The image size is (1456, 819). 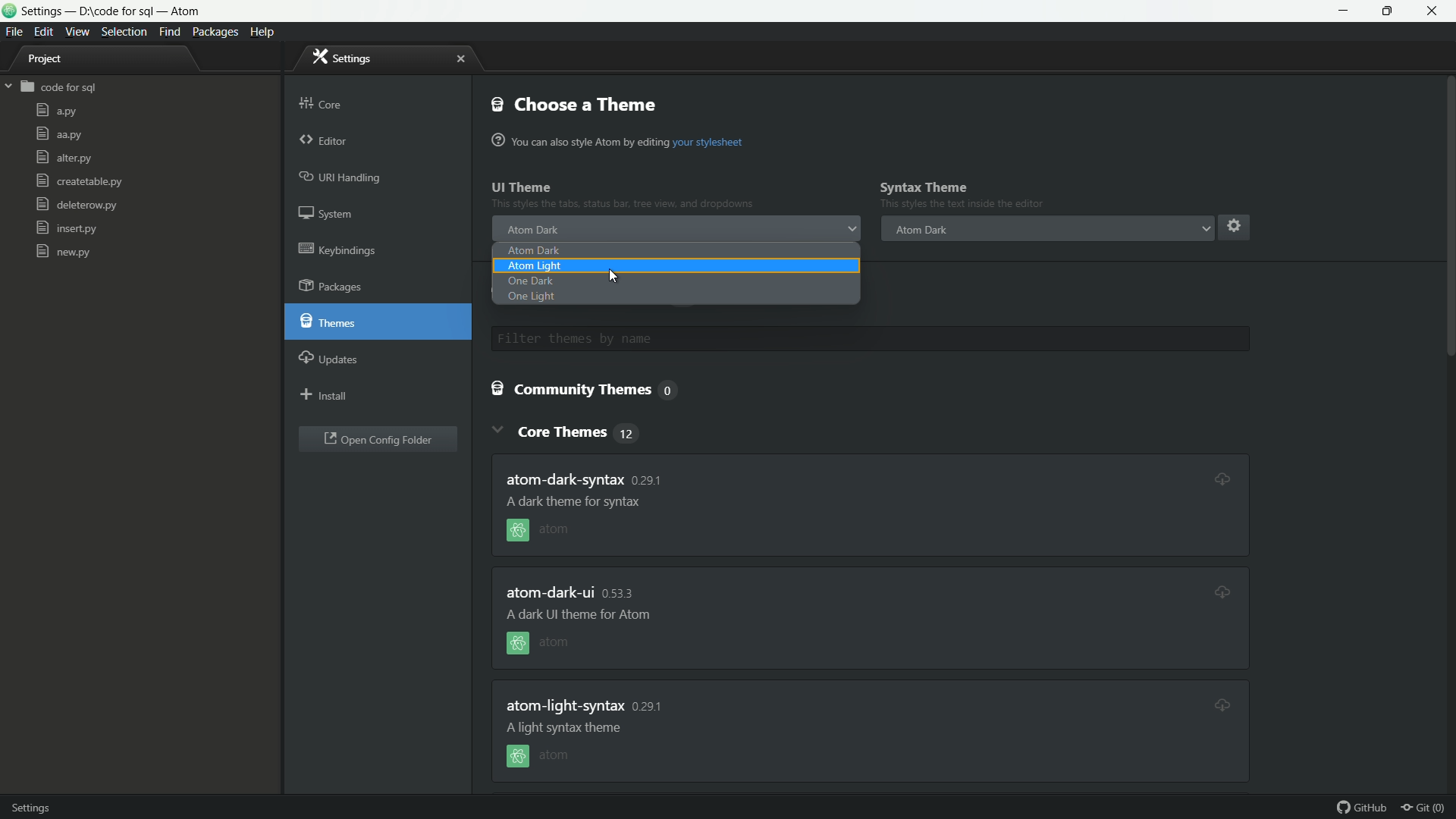 I want to click on edit menu, so click(x=44, y=30).